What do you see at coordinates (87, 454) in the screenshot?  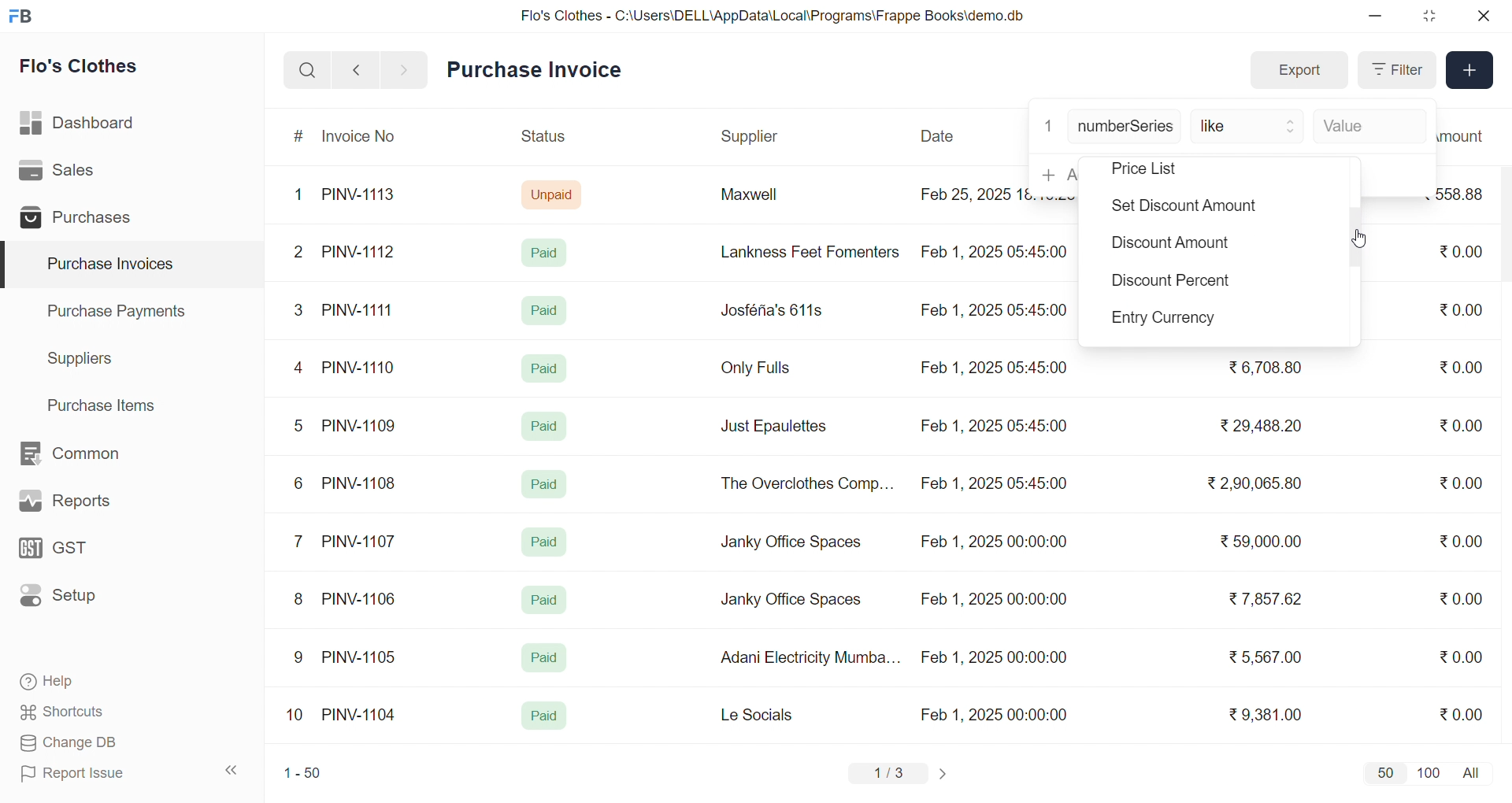 I see `Common` at bounding box center [87, 454].